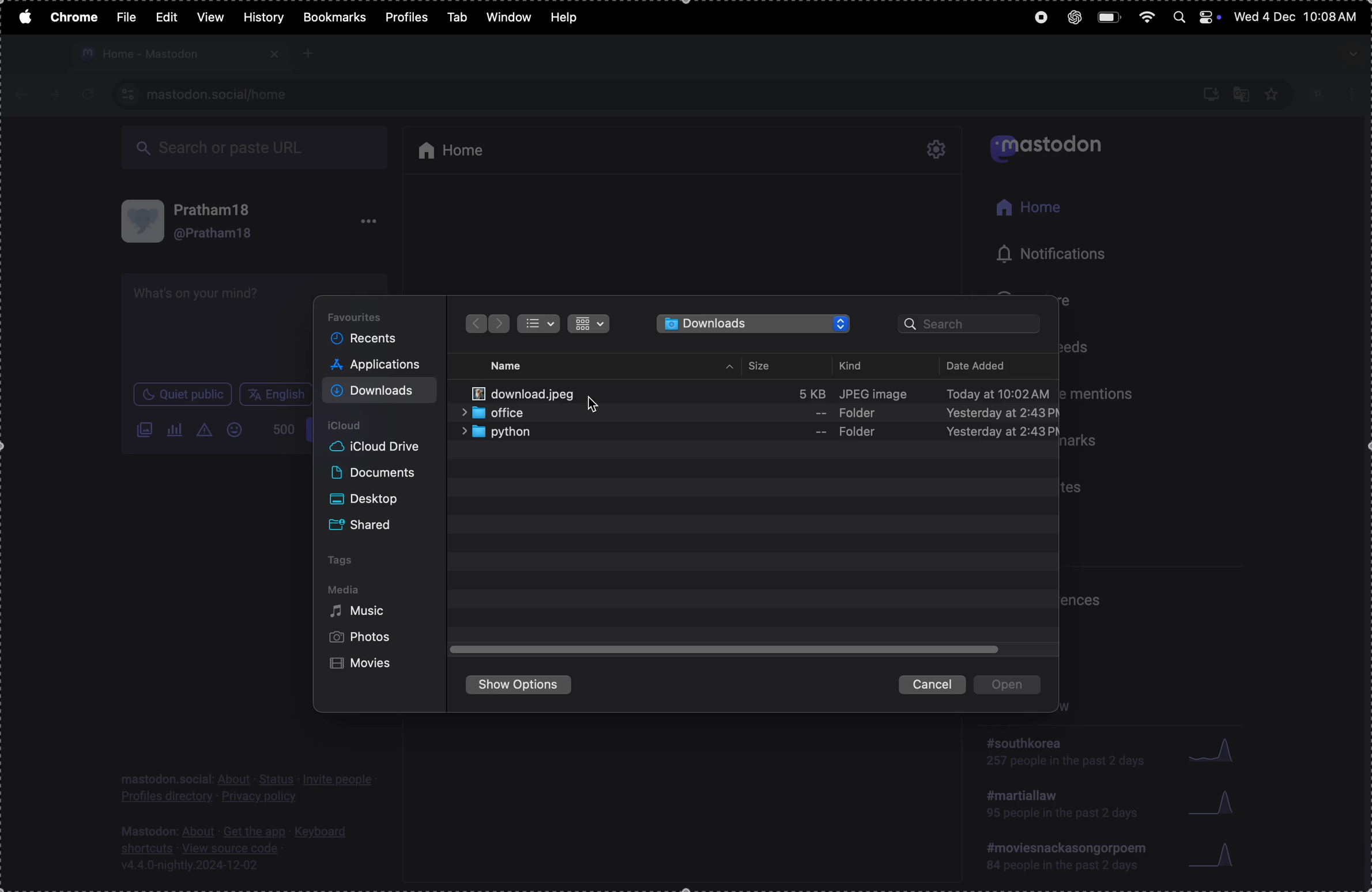  What do you see at coordinates (369, 523) in the screenshot?
I see `Shared` at bounding box center [369, 523].